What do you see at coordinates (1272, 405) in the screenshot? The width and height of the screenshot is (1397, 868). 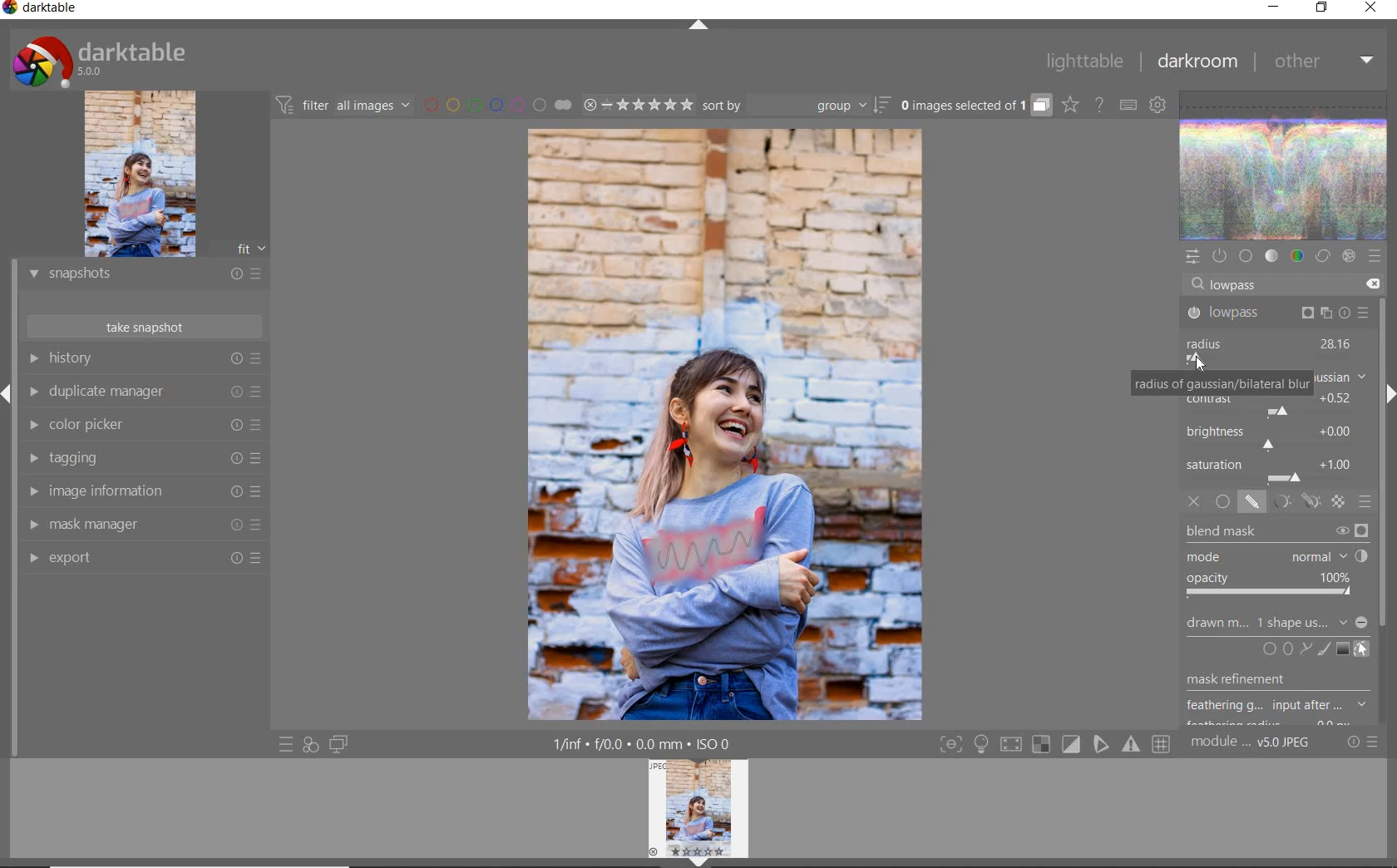 I see `contrast` at bounding box center [1272, 405].